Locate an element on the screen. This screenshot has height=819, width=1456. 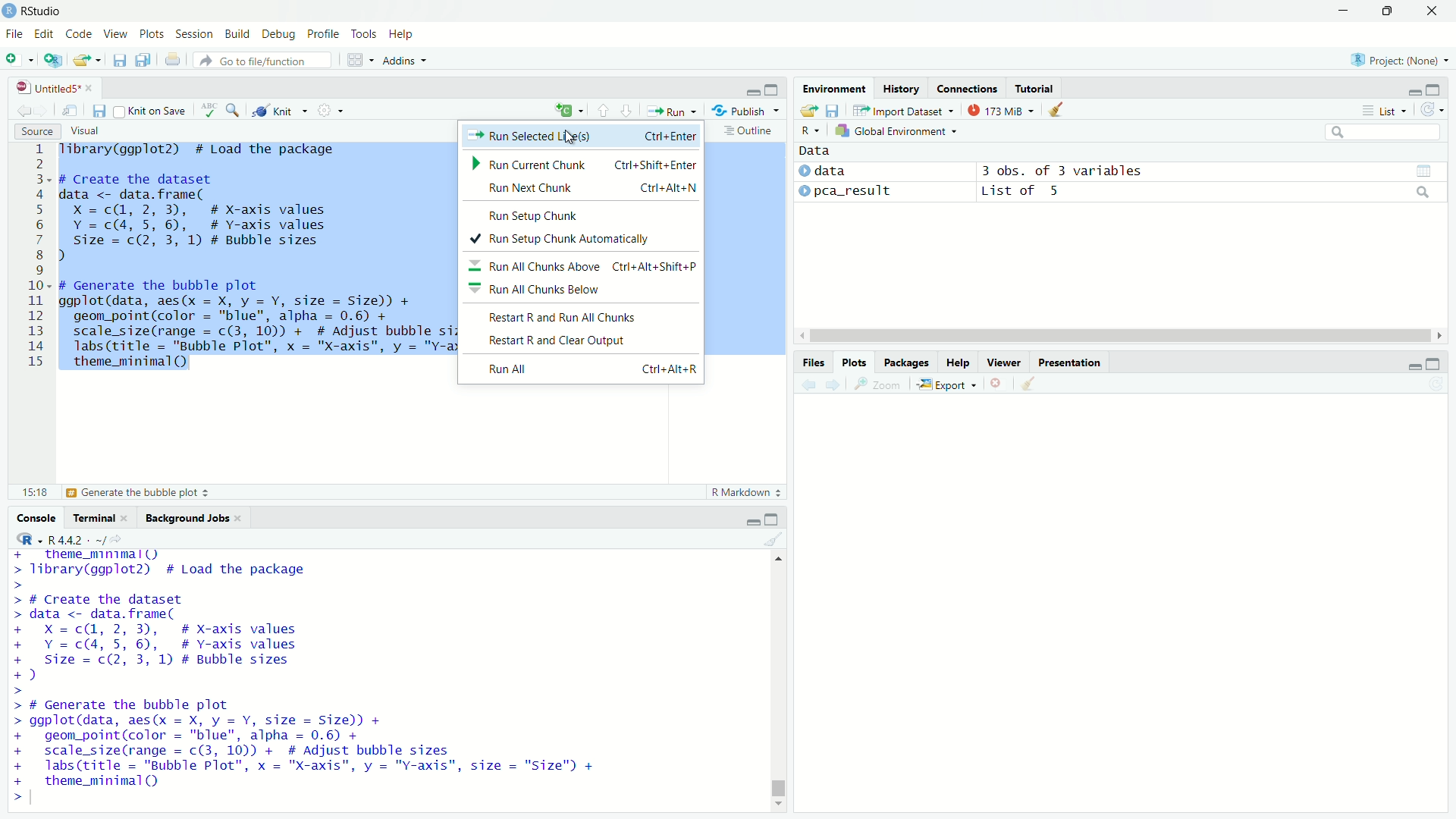
close is located at coordinates (1432, 11).